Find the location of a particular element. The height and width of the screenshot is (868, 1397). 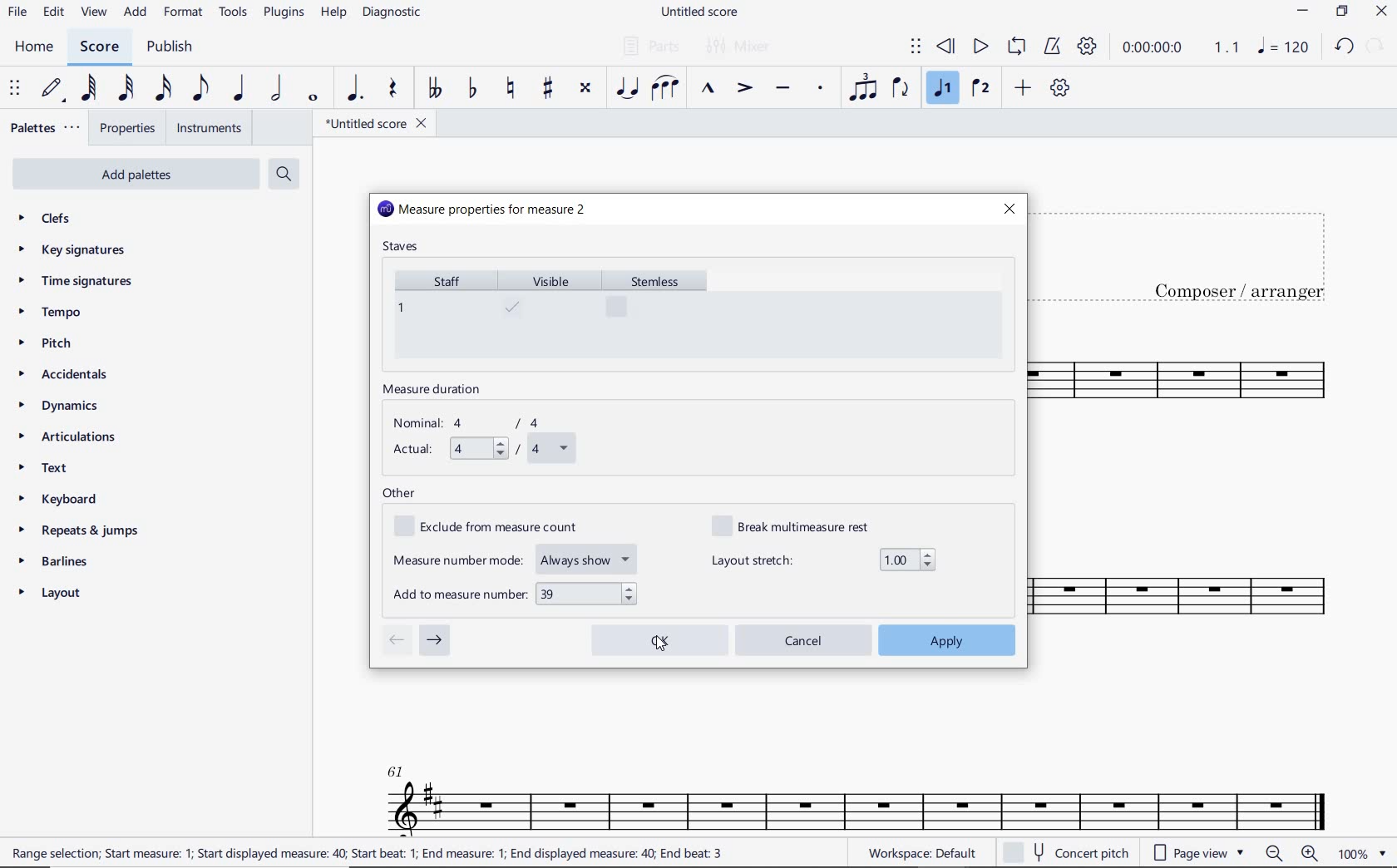

TOGGLE SHARP is located at coordinates (549, 88).